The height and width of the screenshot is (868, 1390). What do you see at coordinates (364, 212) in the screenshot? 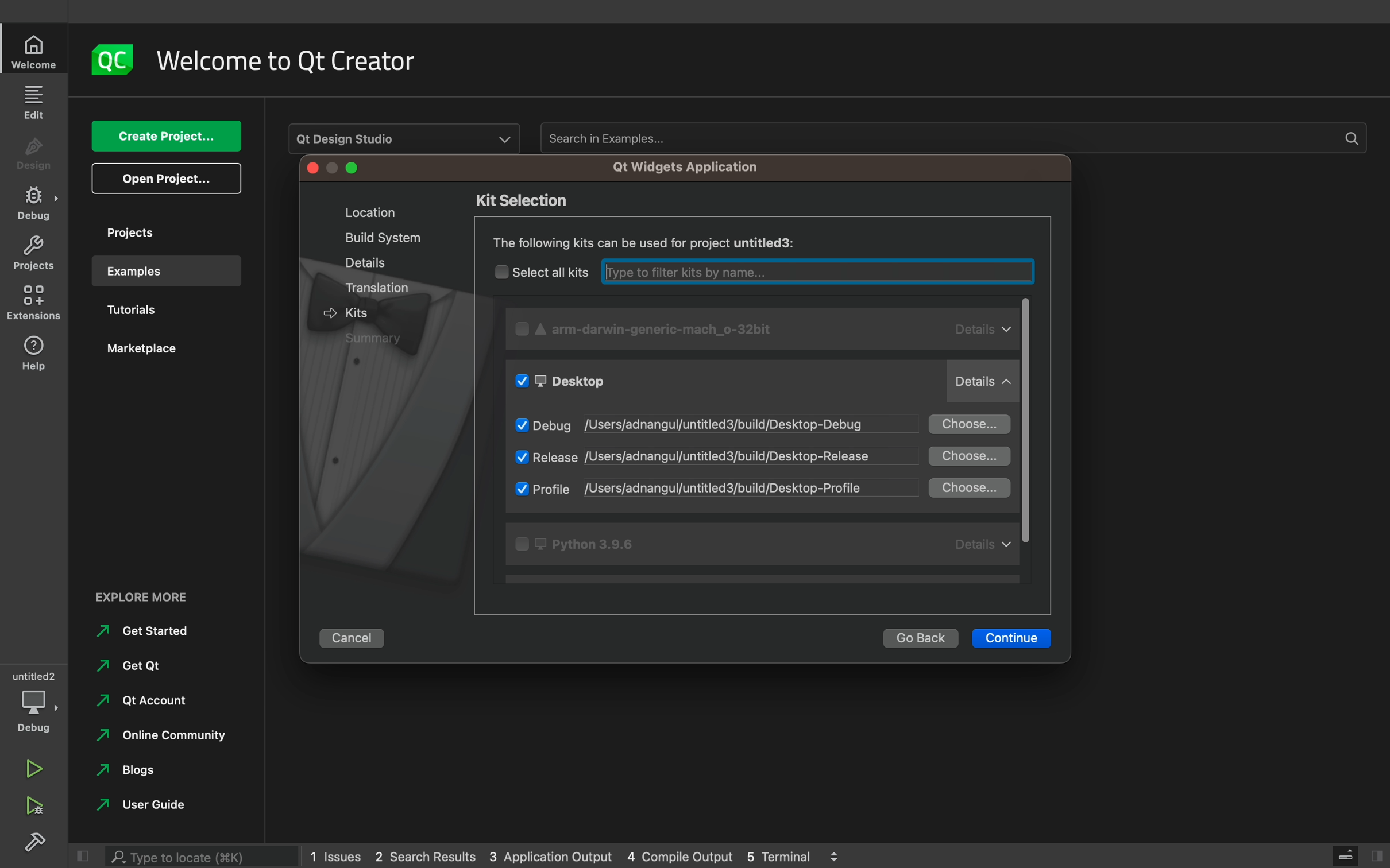
I see `location` at bounding box center [364, 212].